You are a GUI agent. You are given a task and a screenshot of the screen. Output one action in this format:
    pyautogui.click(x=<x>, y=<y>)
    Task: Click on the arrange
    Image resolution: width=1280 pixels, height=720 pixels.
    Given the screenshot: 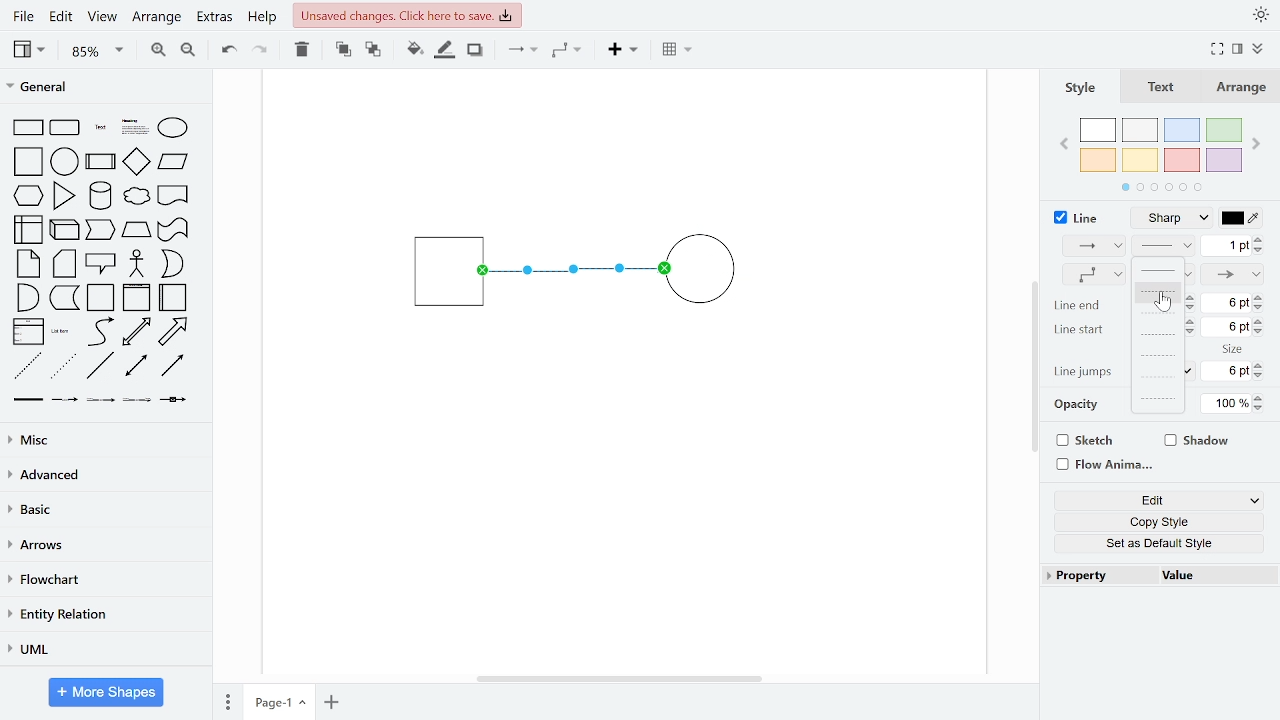 What is the action you would take?
    pyautogui.click(x=157, y=18)
    